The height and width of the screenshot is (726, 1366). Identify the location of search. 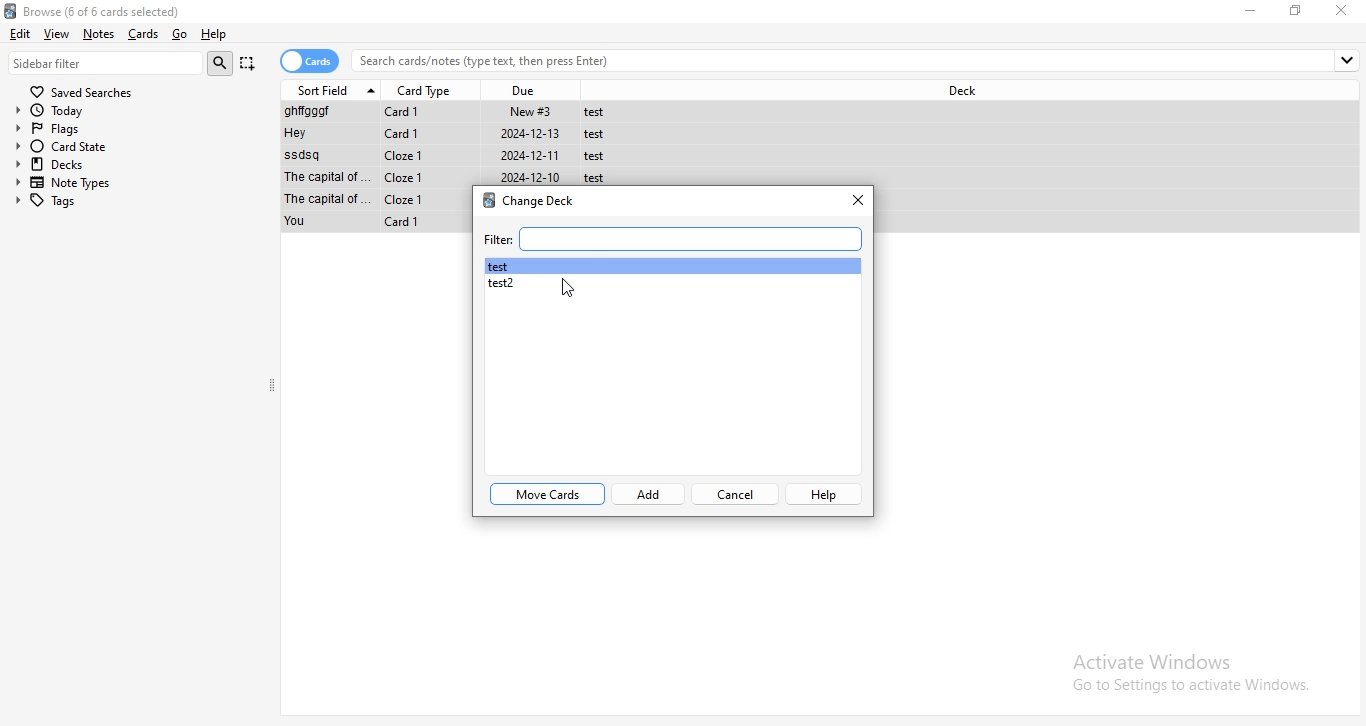
(220, 63).